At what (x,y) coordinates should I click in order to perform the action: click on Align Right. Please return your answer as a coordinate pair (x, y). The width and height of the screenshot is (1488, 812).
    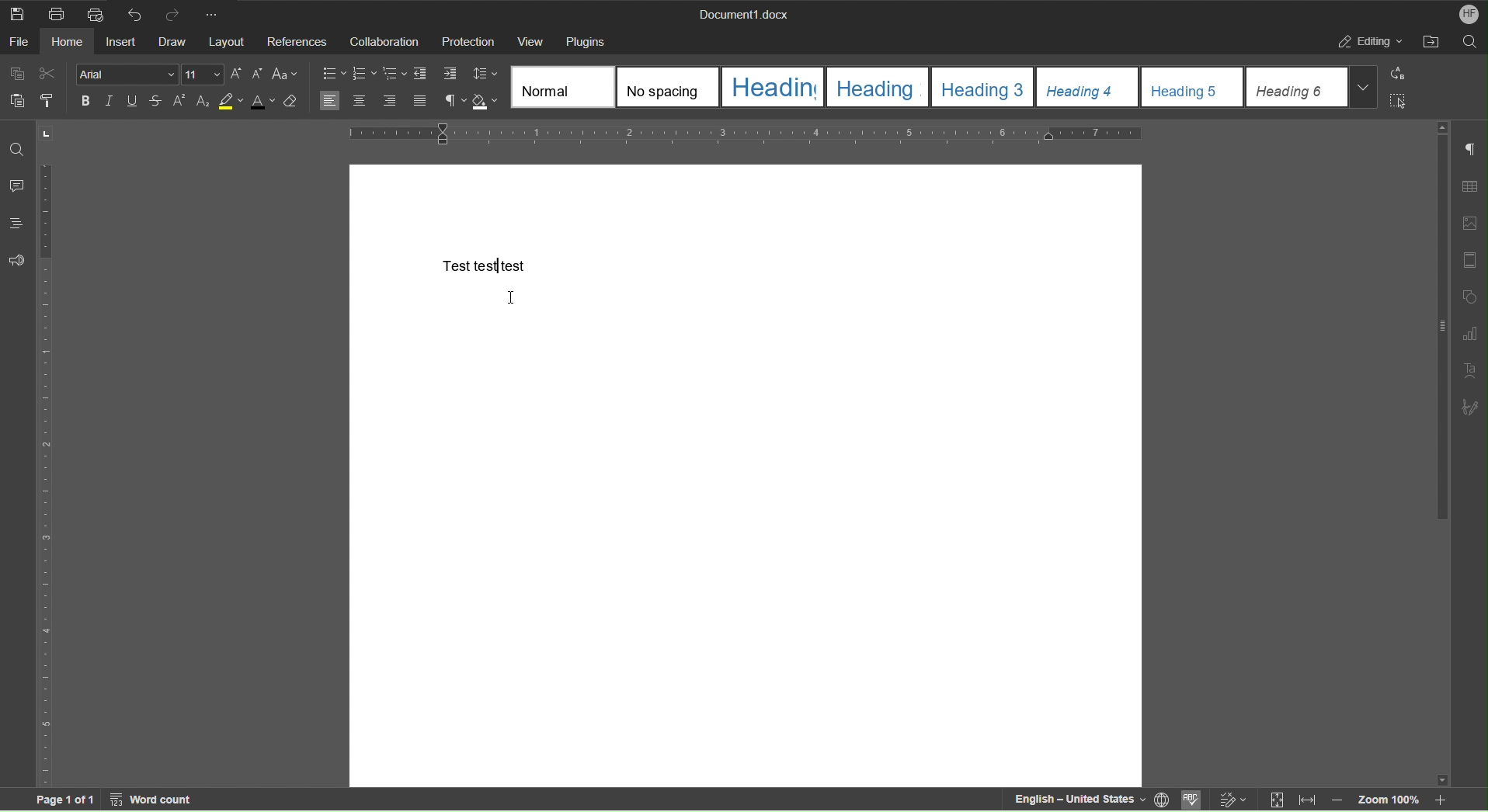
    Looking at the image, I should click on (393, 102).